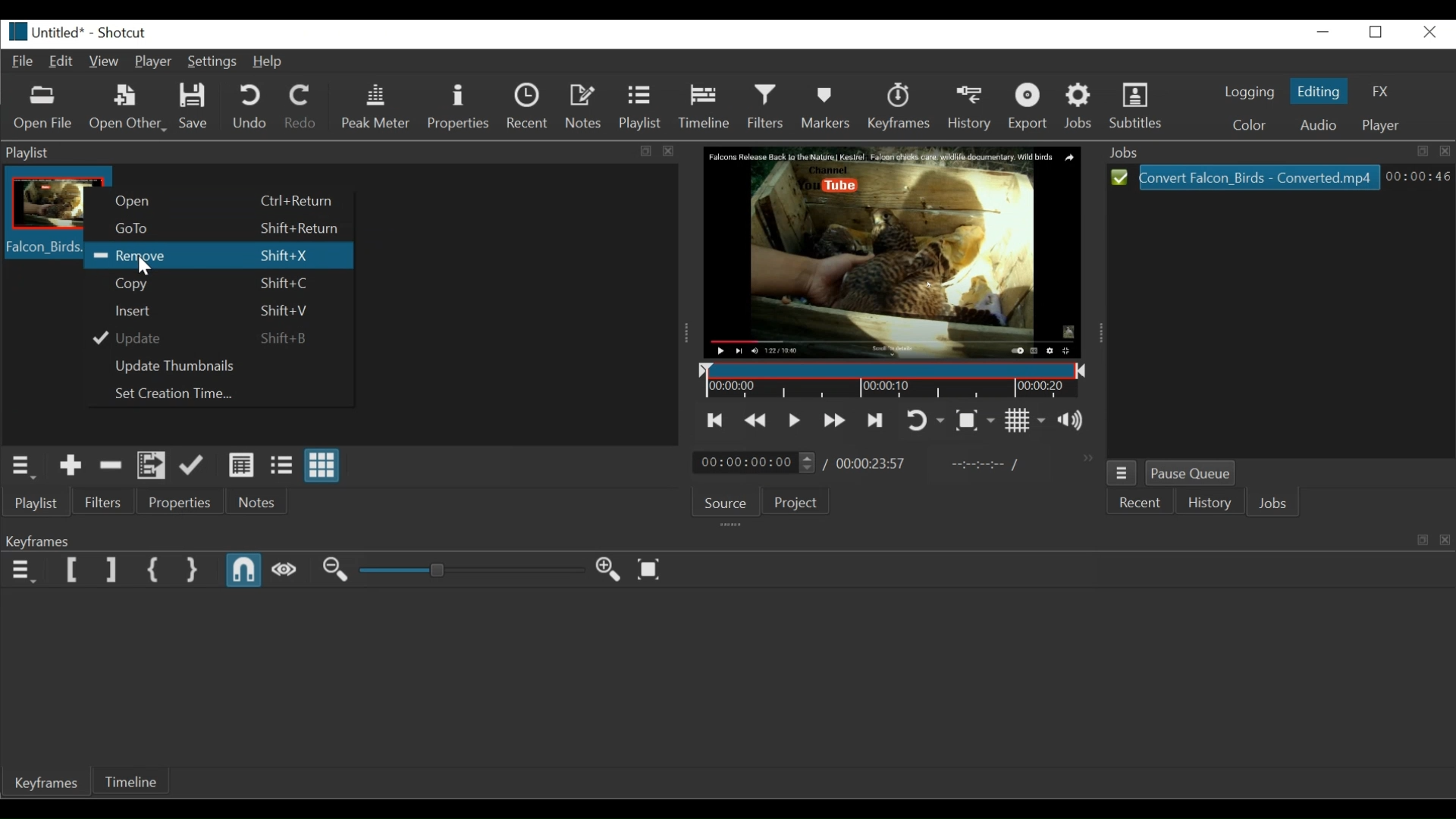 This screenshot has height=819, width=1456. What do you see at coordinates (284, 569) in the screenshot?
I see `Scrub while dragging` at bounding box center [284, 569].